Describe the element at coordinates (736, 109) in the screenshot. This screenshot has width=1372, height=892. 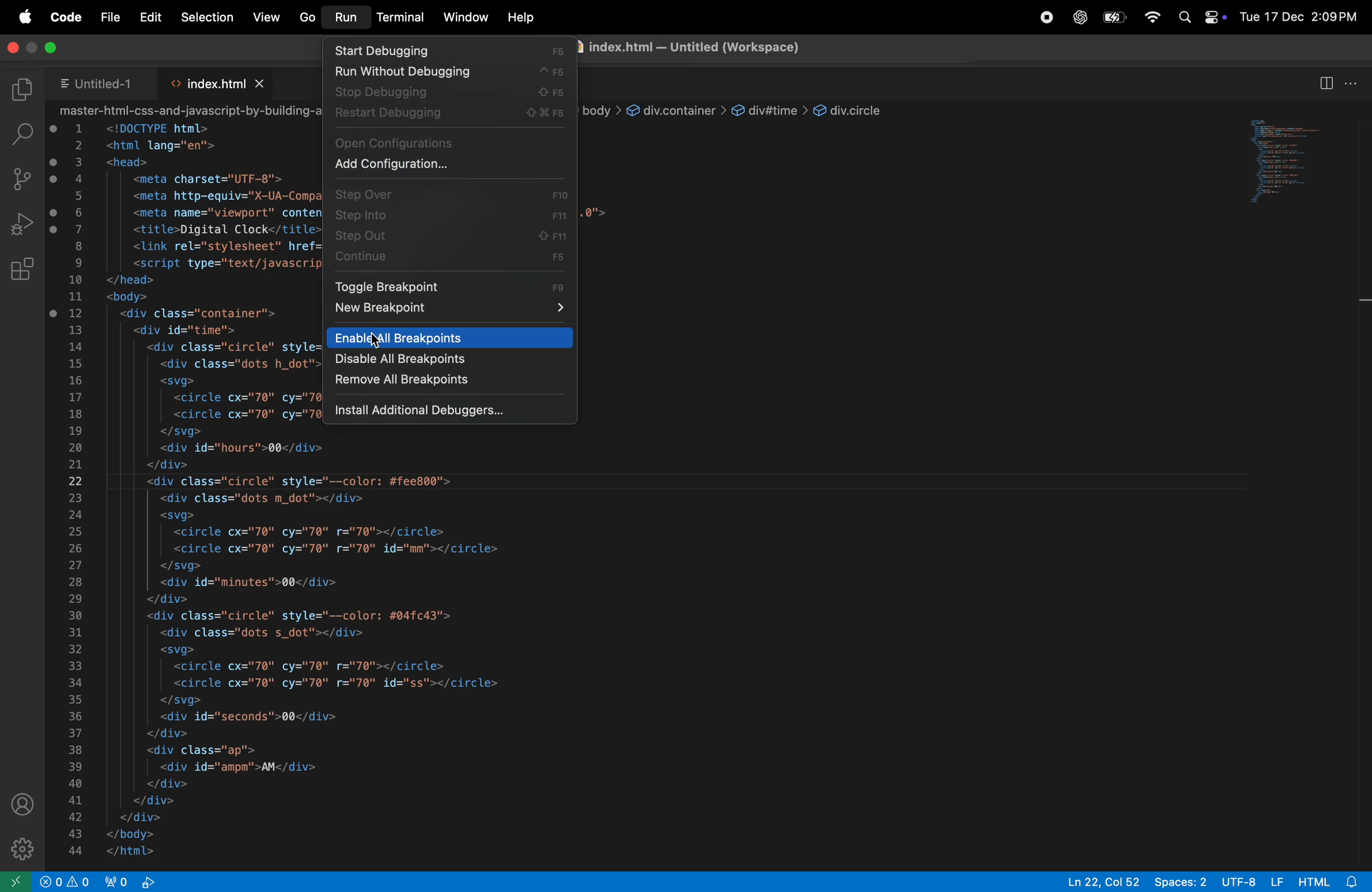
I see `-html-css-and-javascript-by-building-a-digital-clock > <> index.html > € html > @ body > © div.container > @ div#time > @ div.circle` at that location.